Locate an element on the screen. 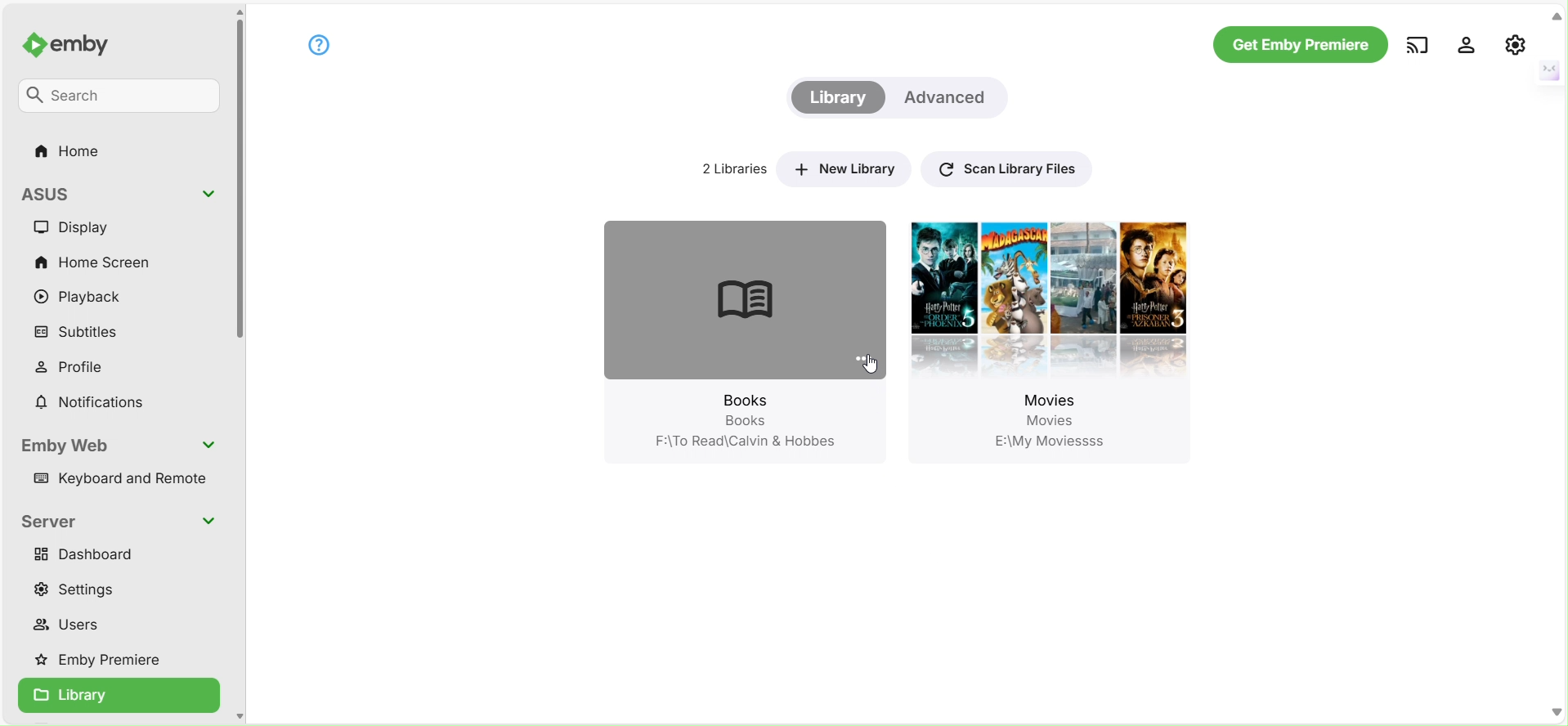 This screenshot has height=726, width=1568. library: Movies is located at coordinates (1055, 322).